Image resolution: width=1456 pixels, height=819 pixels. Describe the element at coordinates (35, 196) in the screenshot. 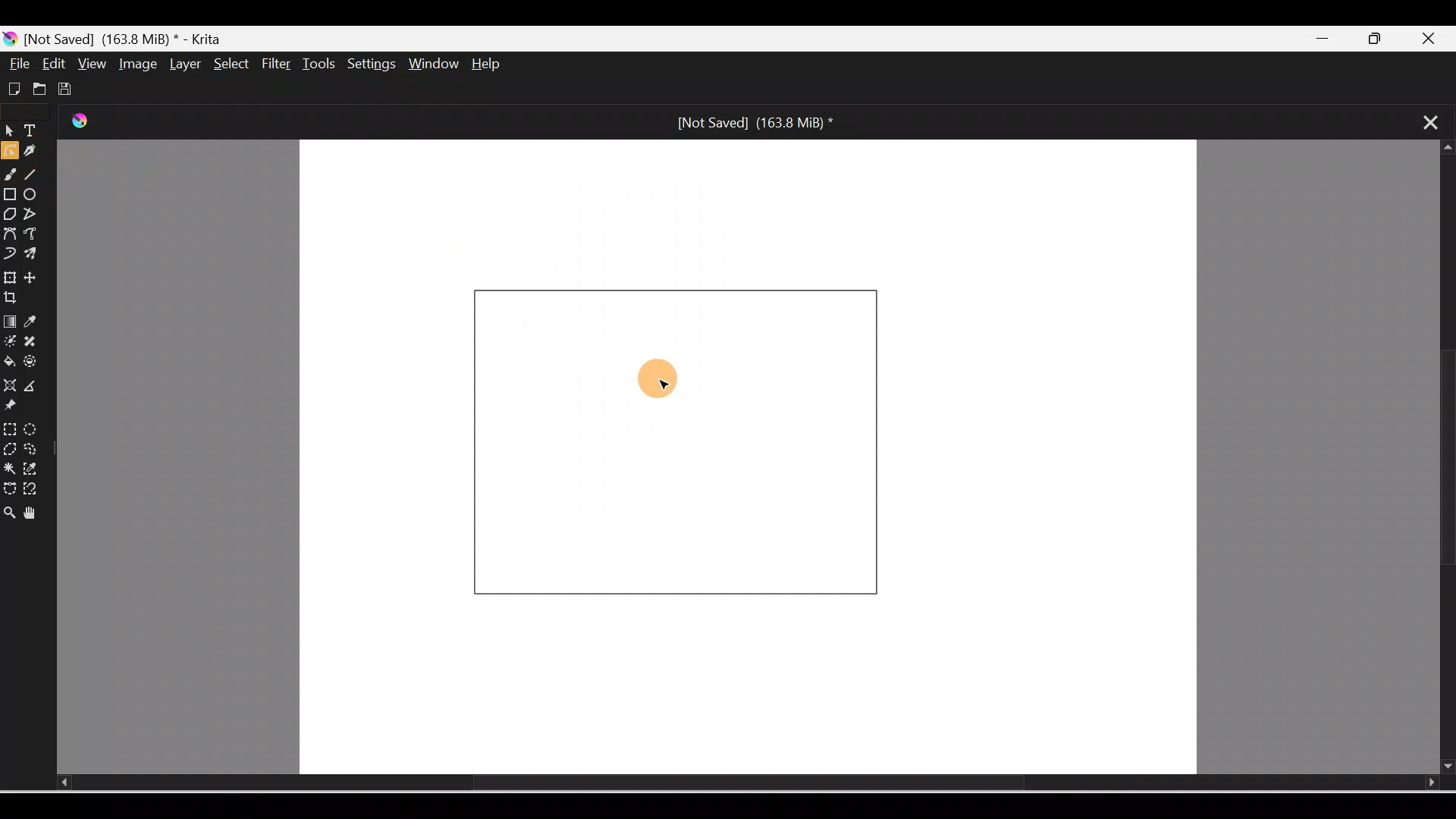

I see `Ellipse` at that location.